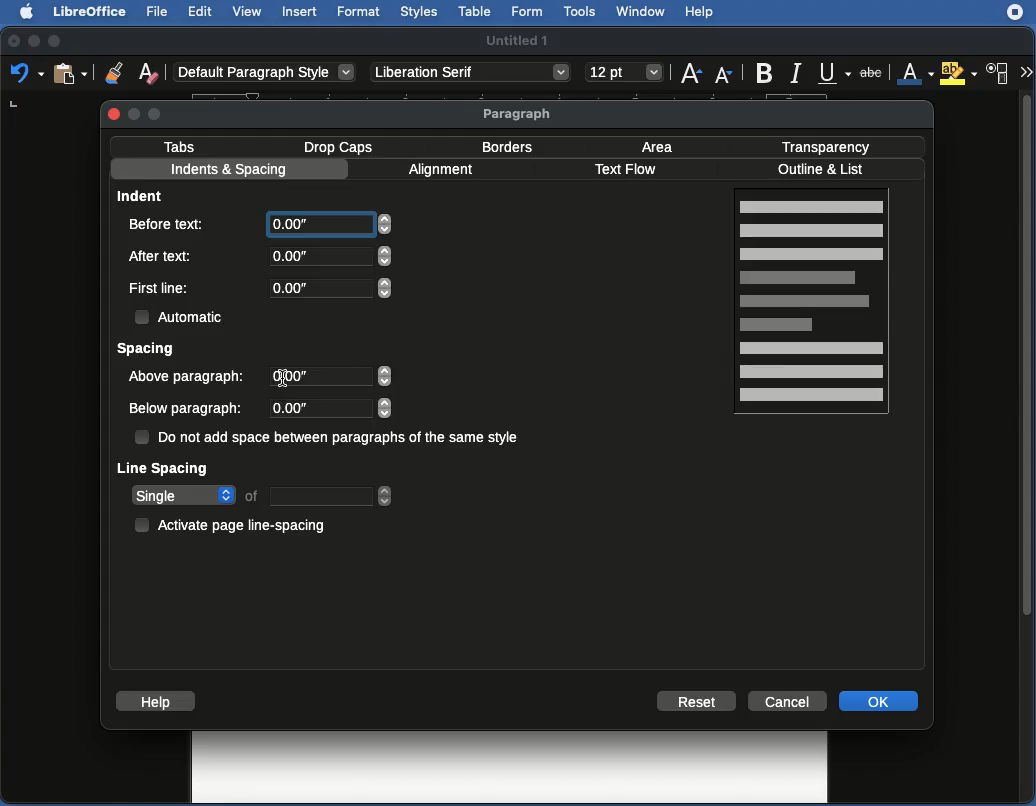 Image resolution: width=1036 pixels, height=806 pixels. I want to click on Close, so click(114, 113).